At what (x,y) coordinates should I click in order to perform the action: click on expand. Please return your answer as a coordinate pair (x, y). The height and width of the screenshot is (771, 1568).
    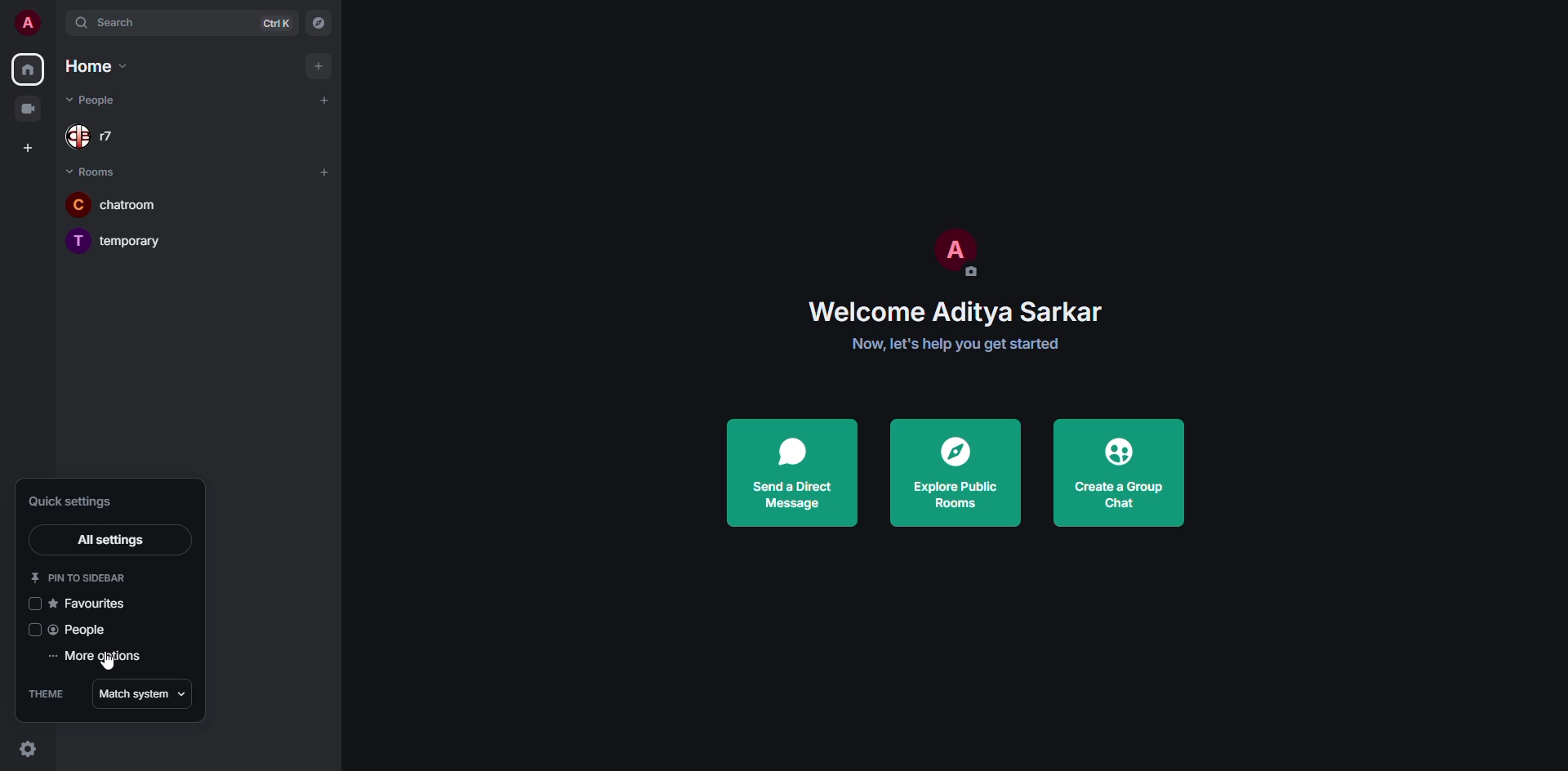
    Looking at the image, I should click on (57, 25).